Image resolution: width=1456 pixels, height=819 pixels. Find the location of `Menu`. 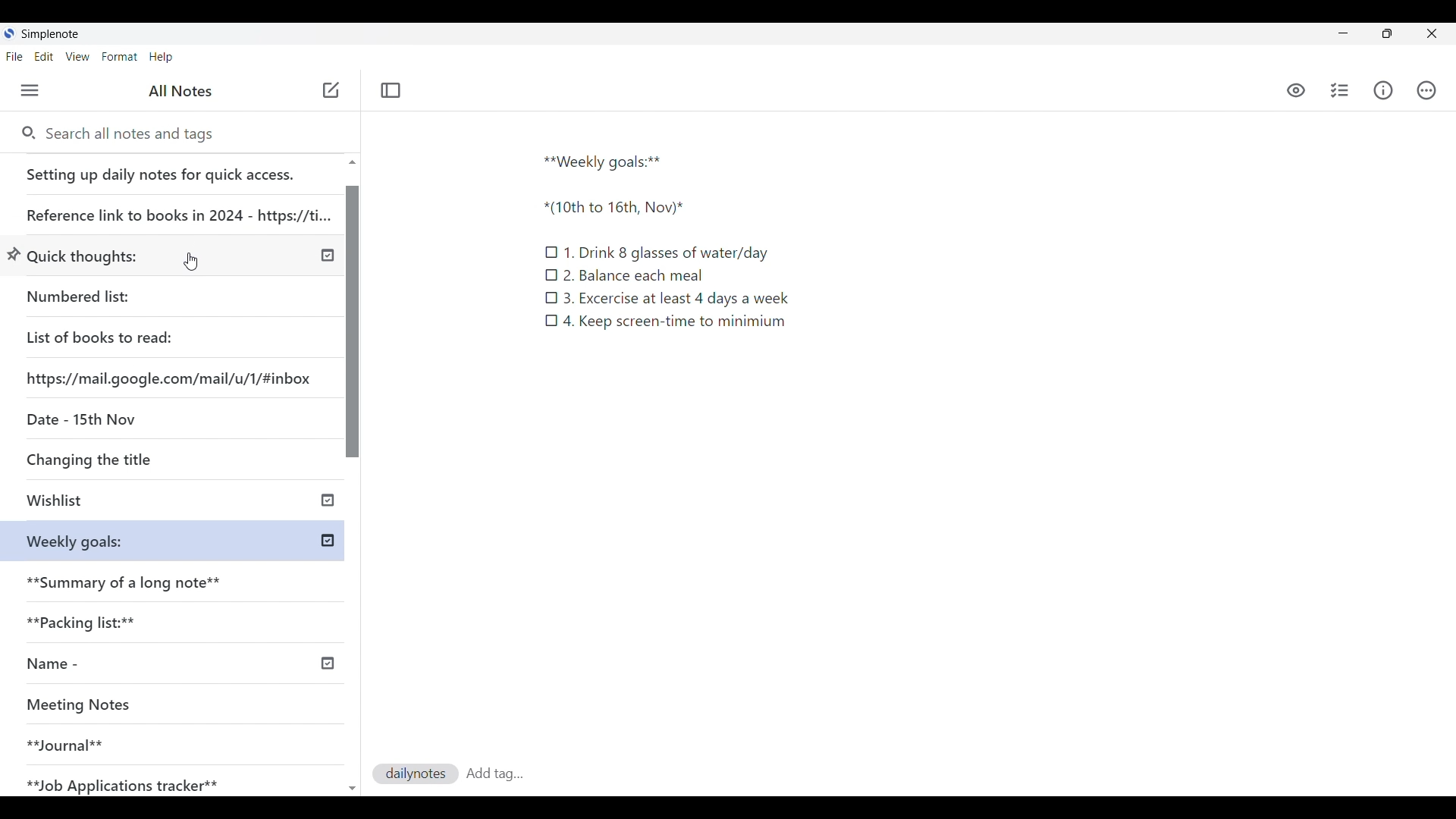

Menu is located at coordinates (30, 90).